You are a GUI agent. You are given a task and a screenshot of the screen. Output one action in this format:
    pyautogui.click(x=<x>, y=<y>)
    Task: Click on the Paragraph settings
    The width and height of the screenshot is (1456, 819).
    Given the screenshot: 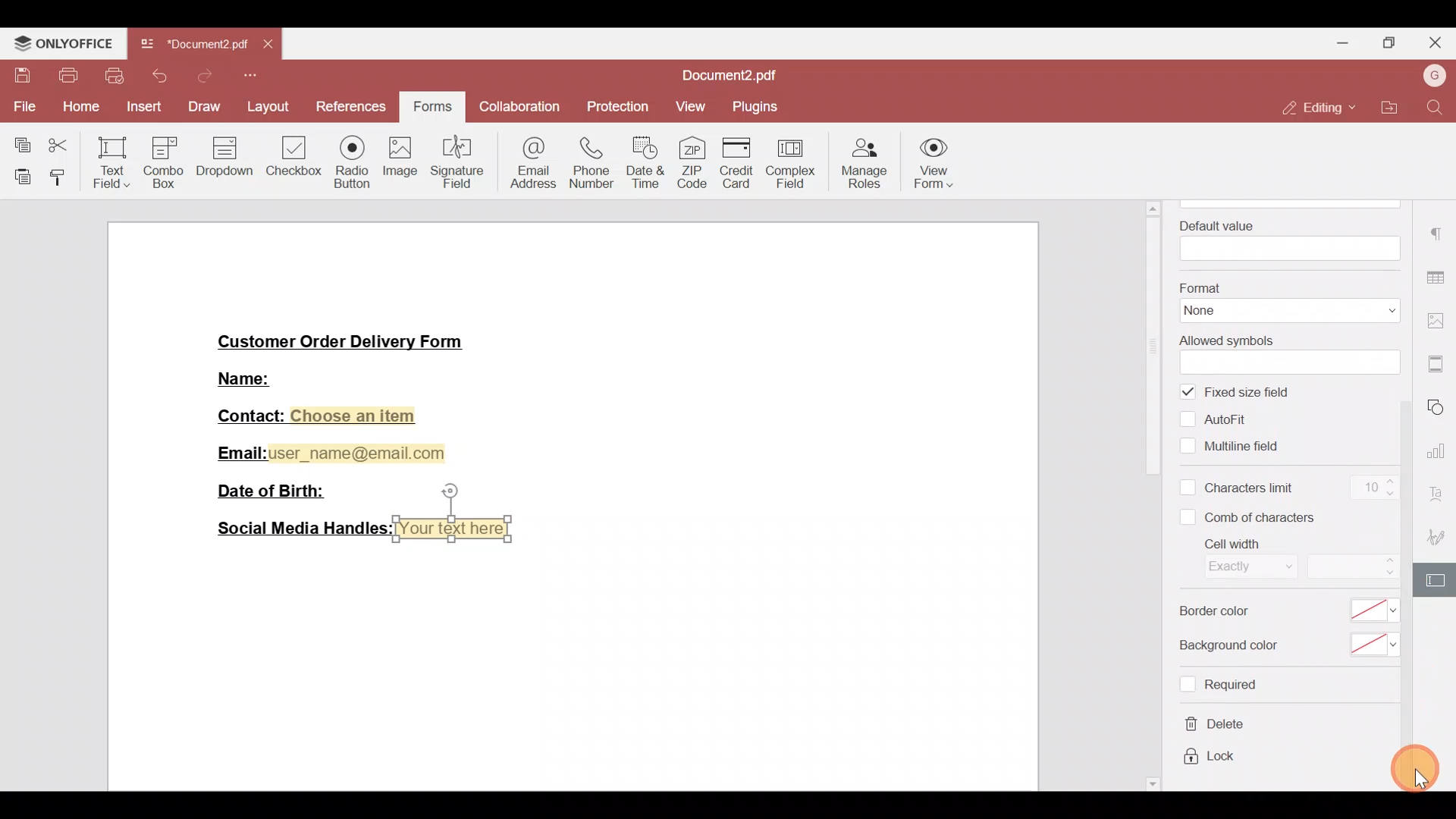 What is the action you would take?
    pyautogui.click(x=1439, y=236)
    